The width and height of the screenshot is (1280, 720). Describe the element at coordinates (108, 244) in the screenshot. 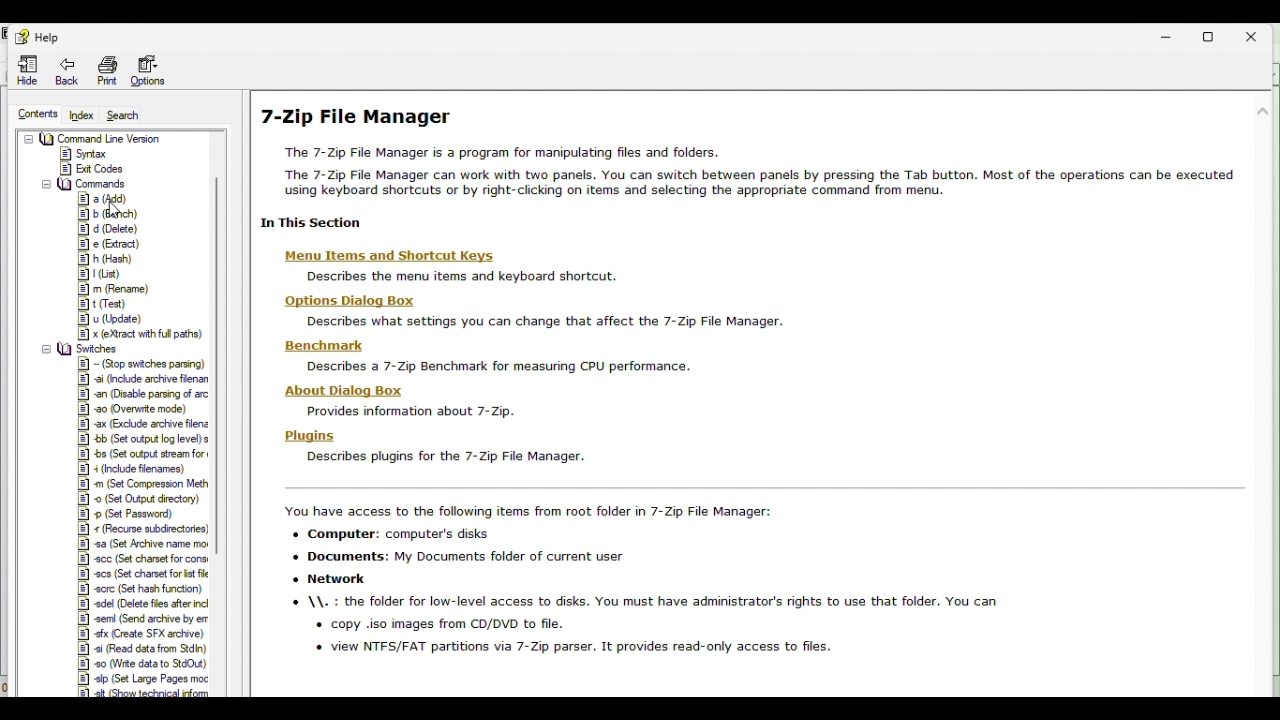

I see `e` at that location.